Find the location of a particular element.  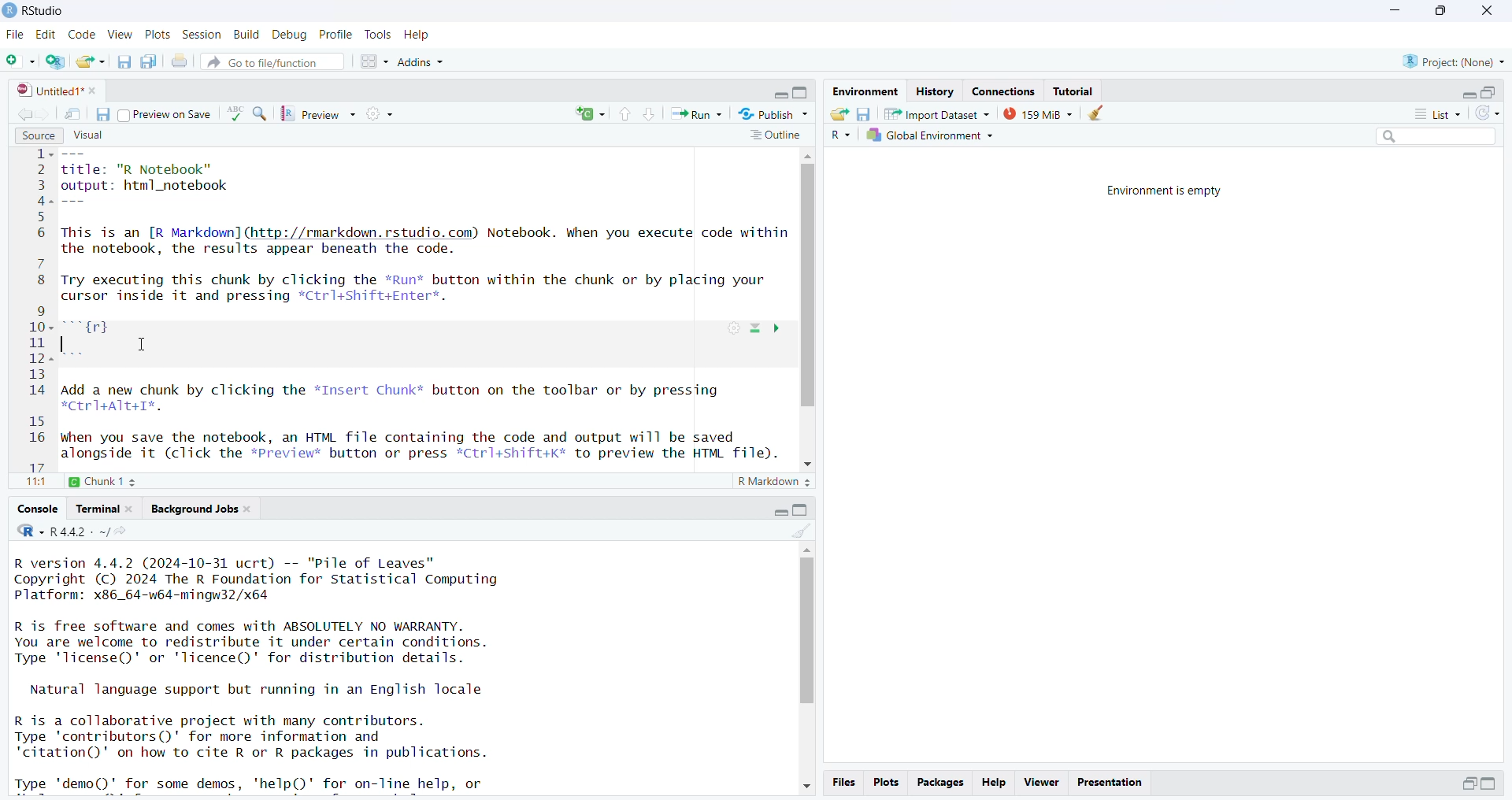

outline is located at coordinates (774, 136).